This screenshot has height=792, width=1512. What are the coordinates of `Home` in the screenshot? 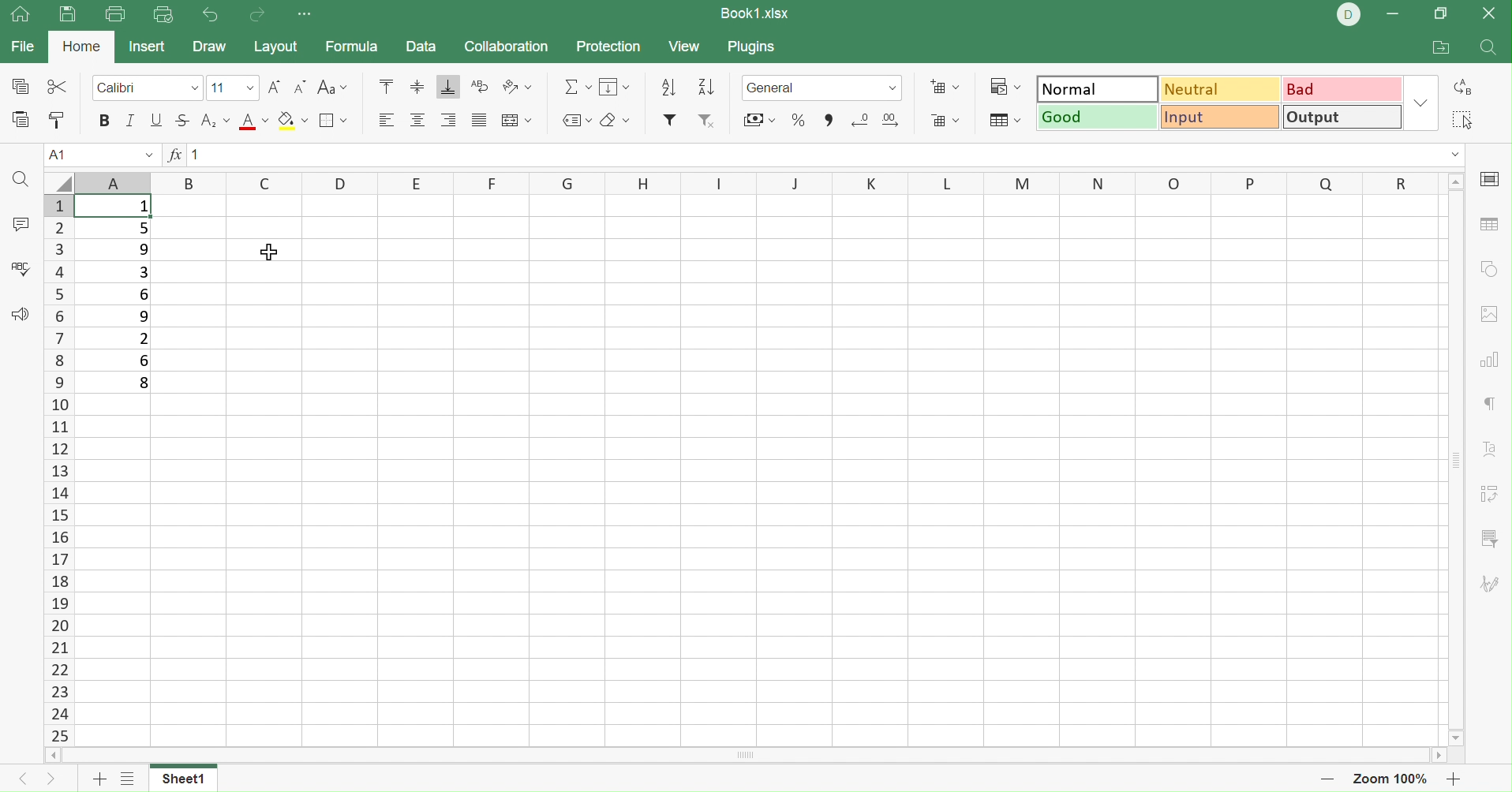 It's located at (84, 45).